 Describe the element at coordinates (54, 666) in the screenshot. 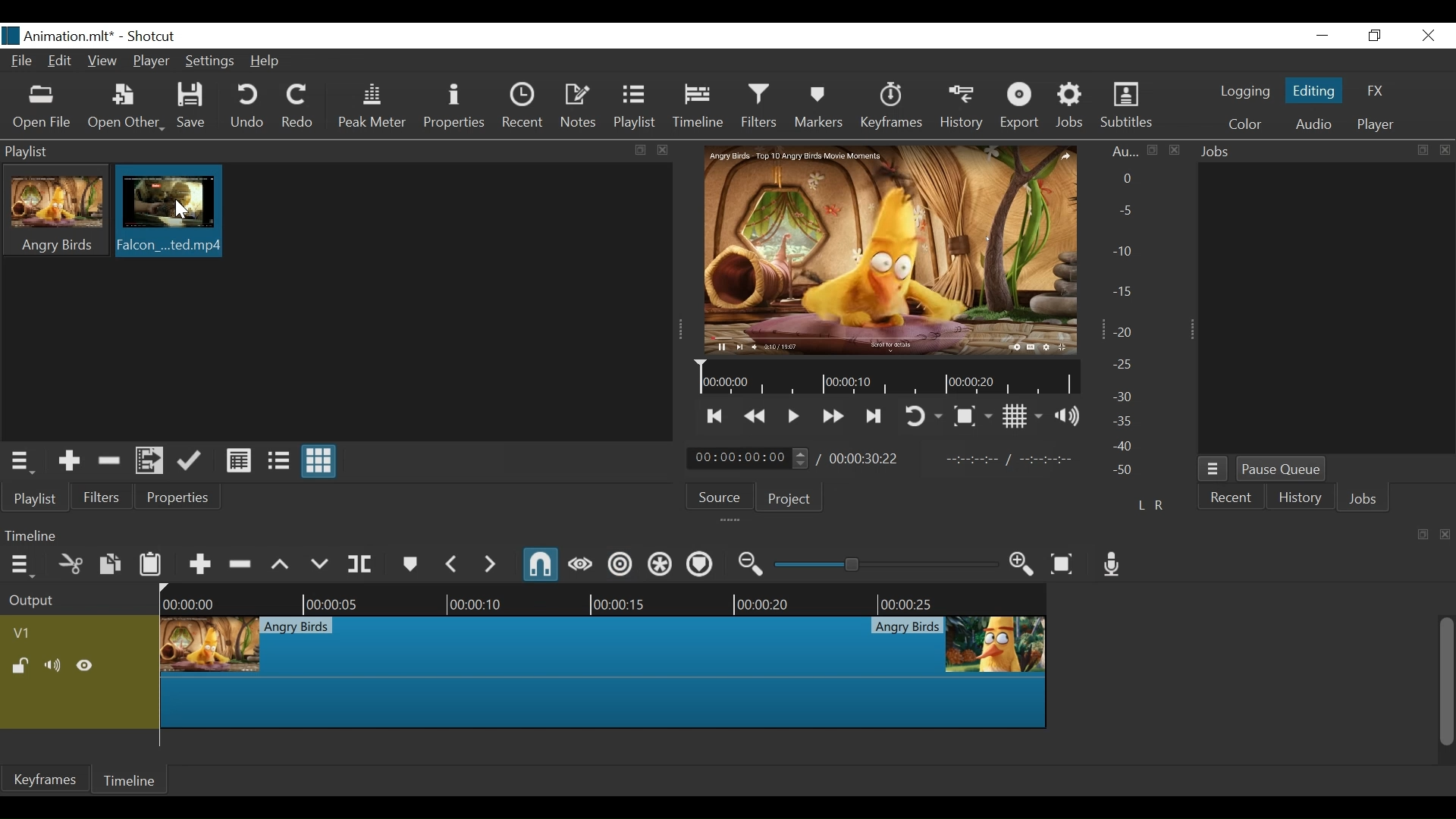

I see `Mute` at that location.